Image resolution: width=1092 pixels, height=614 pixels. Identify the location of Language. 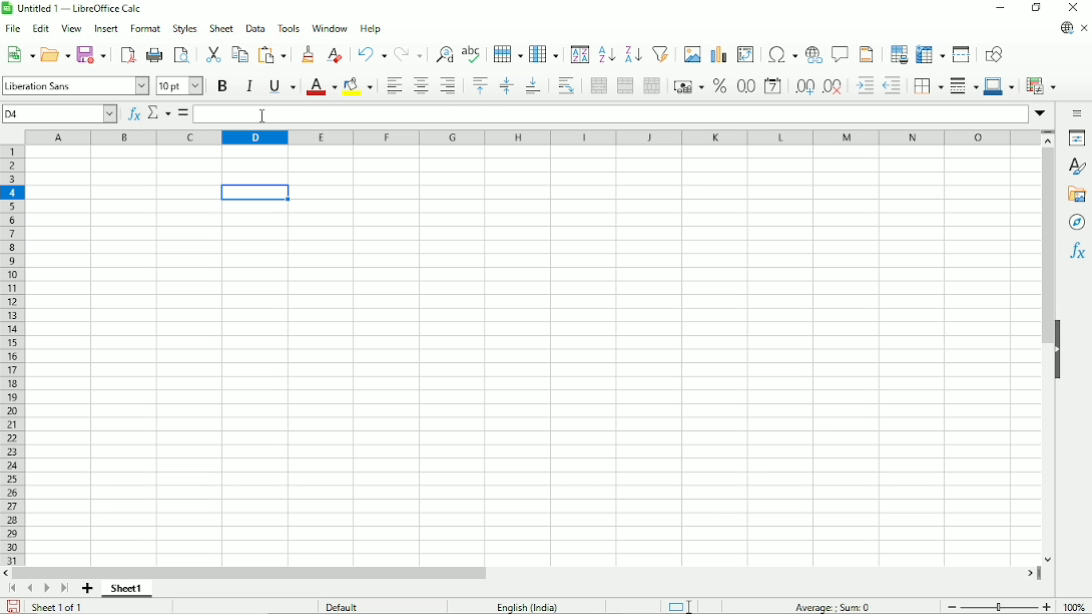
(528, 606).